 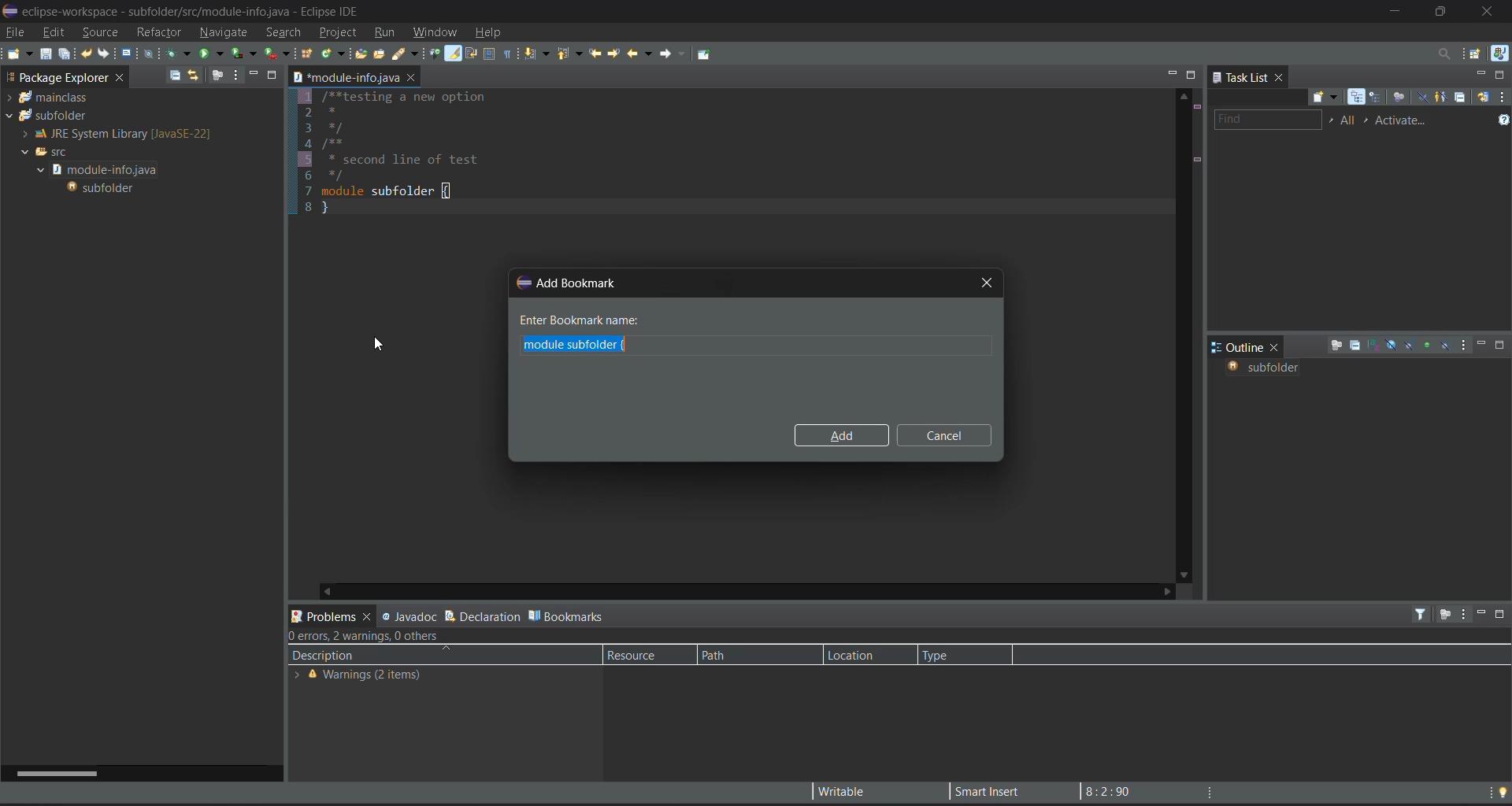 I want to click on cursor, so click(x=380, y=344).